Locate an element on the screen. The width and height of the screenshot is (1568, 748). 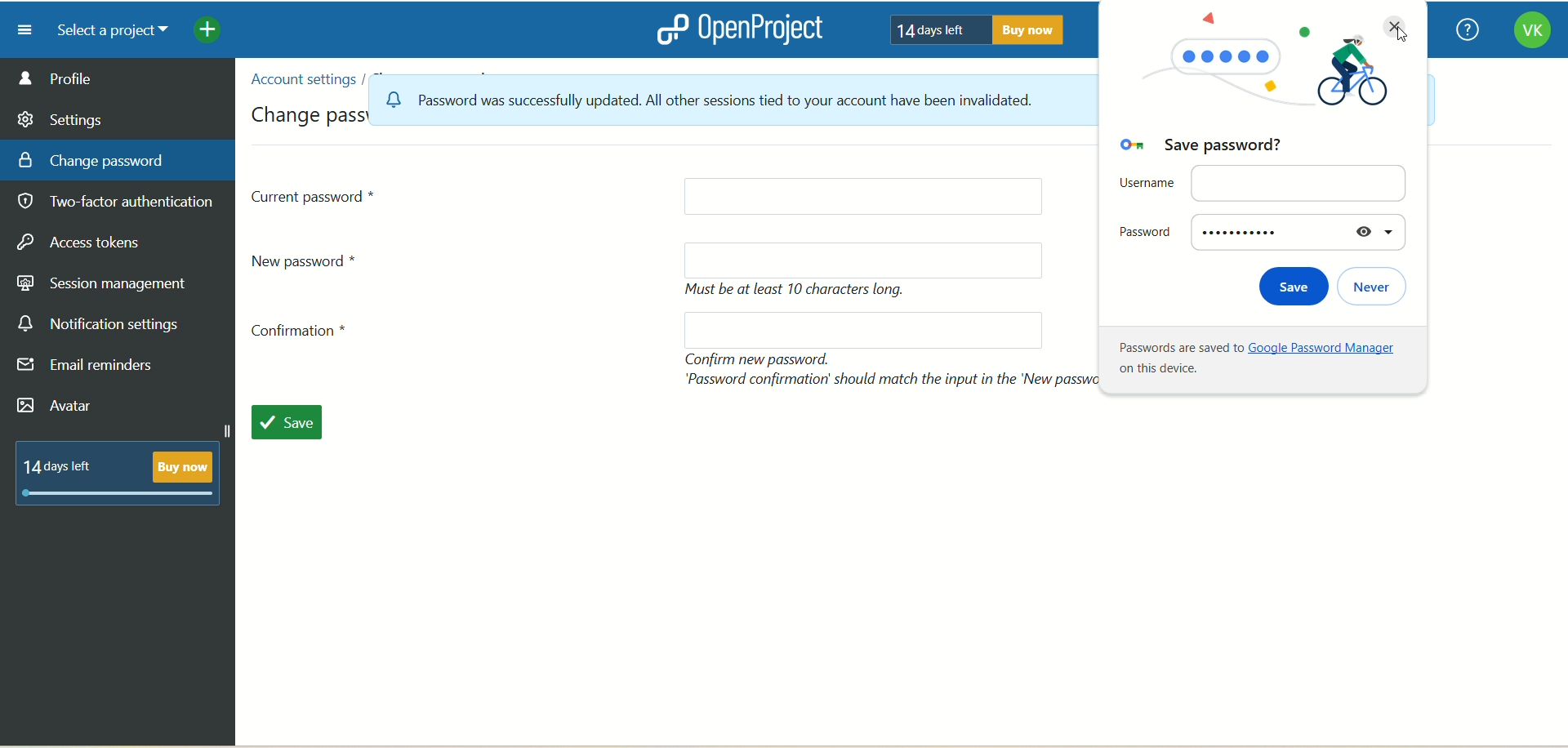
help is located at coordinates (1463, 31).